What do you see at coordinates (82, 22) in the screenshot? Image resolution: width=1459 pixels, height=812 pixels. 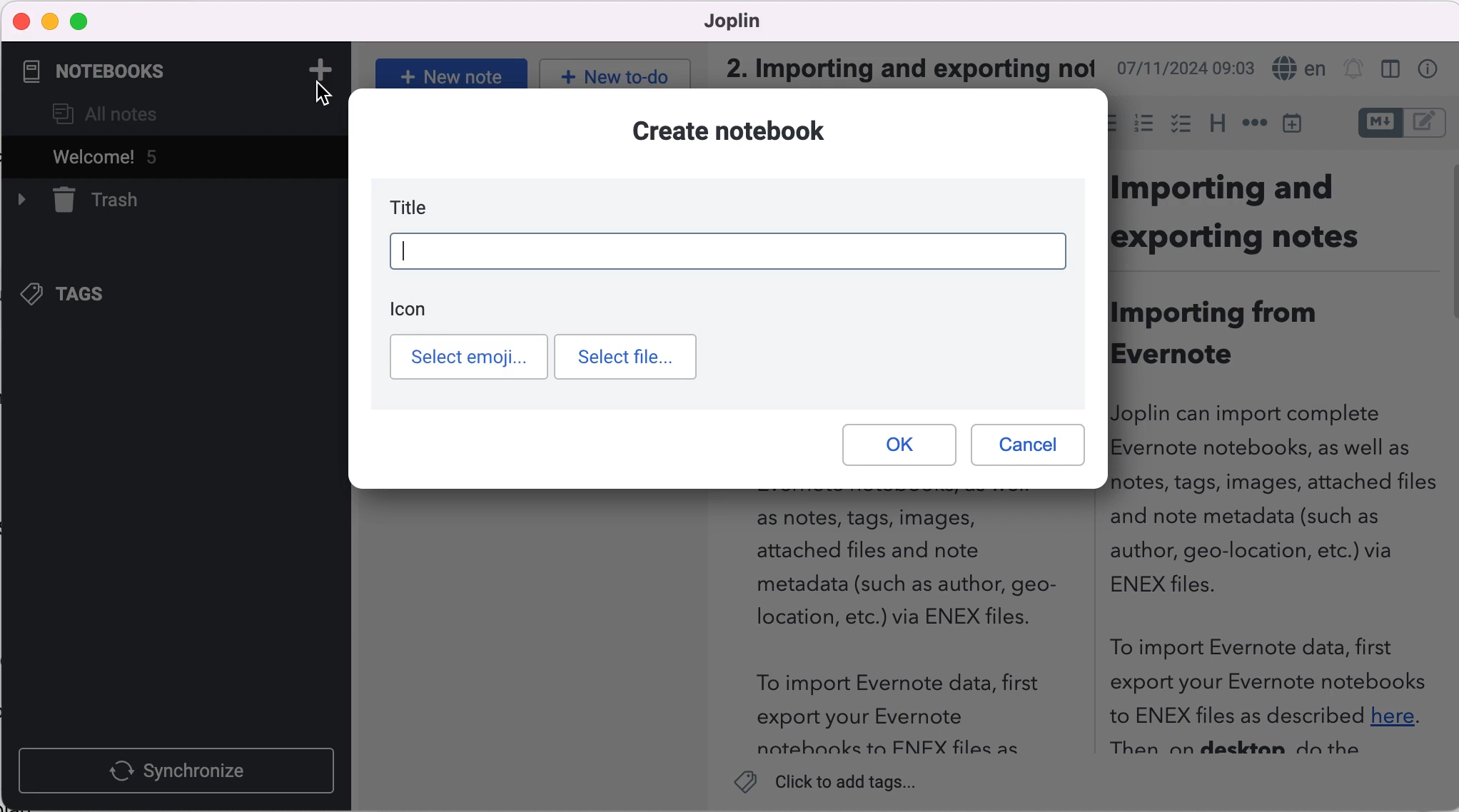 I see `maximize` at bounding box center [82, 22].